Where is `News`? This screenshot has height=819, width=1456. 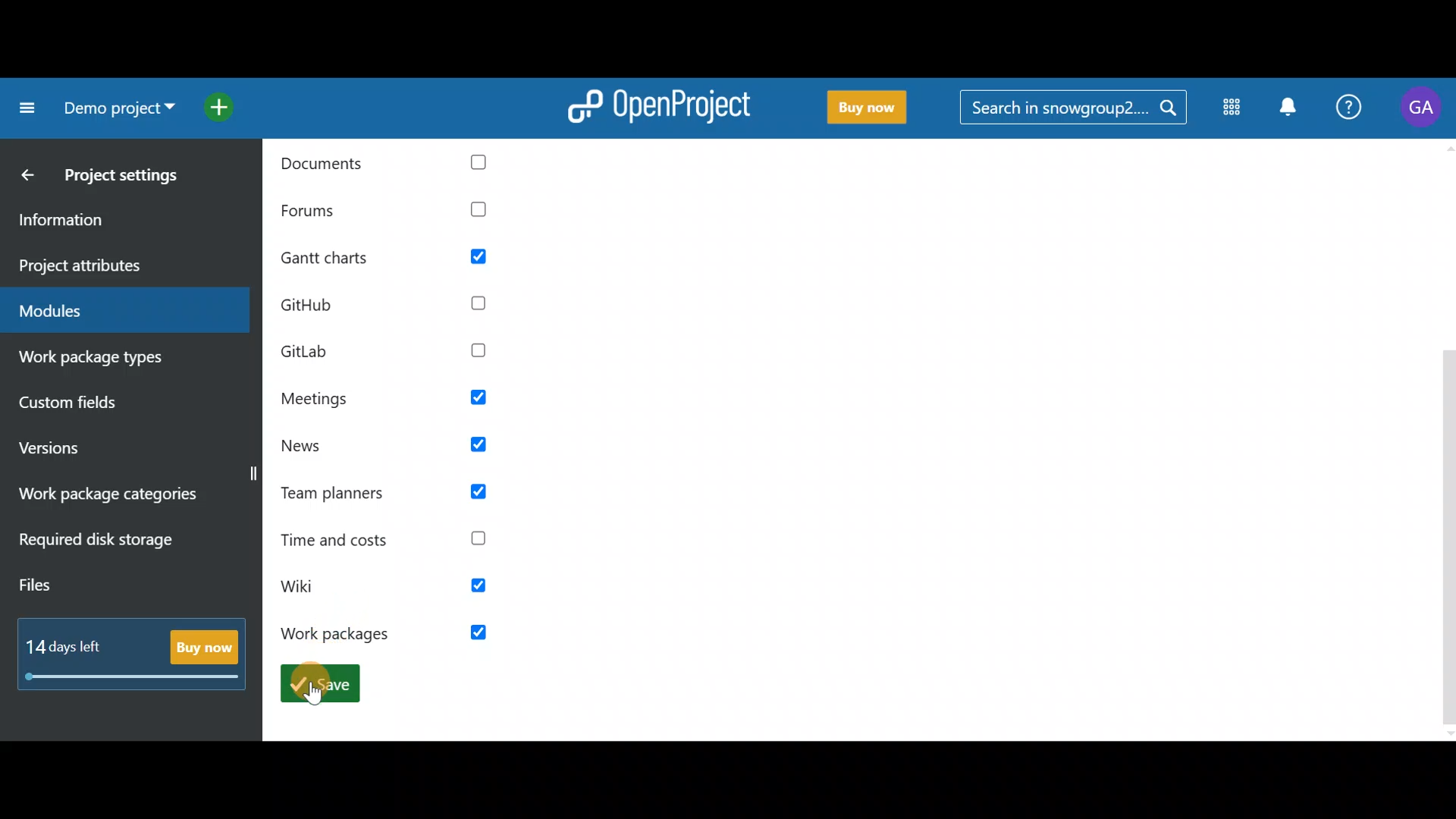
News is located at coordinates (387, 448).